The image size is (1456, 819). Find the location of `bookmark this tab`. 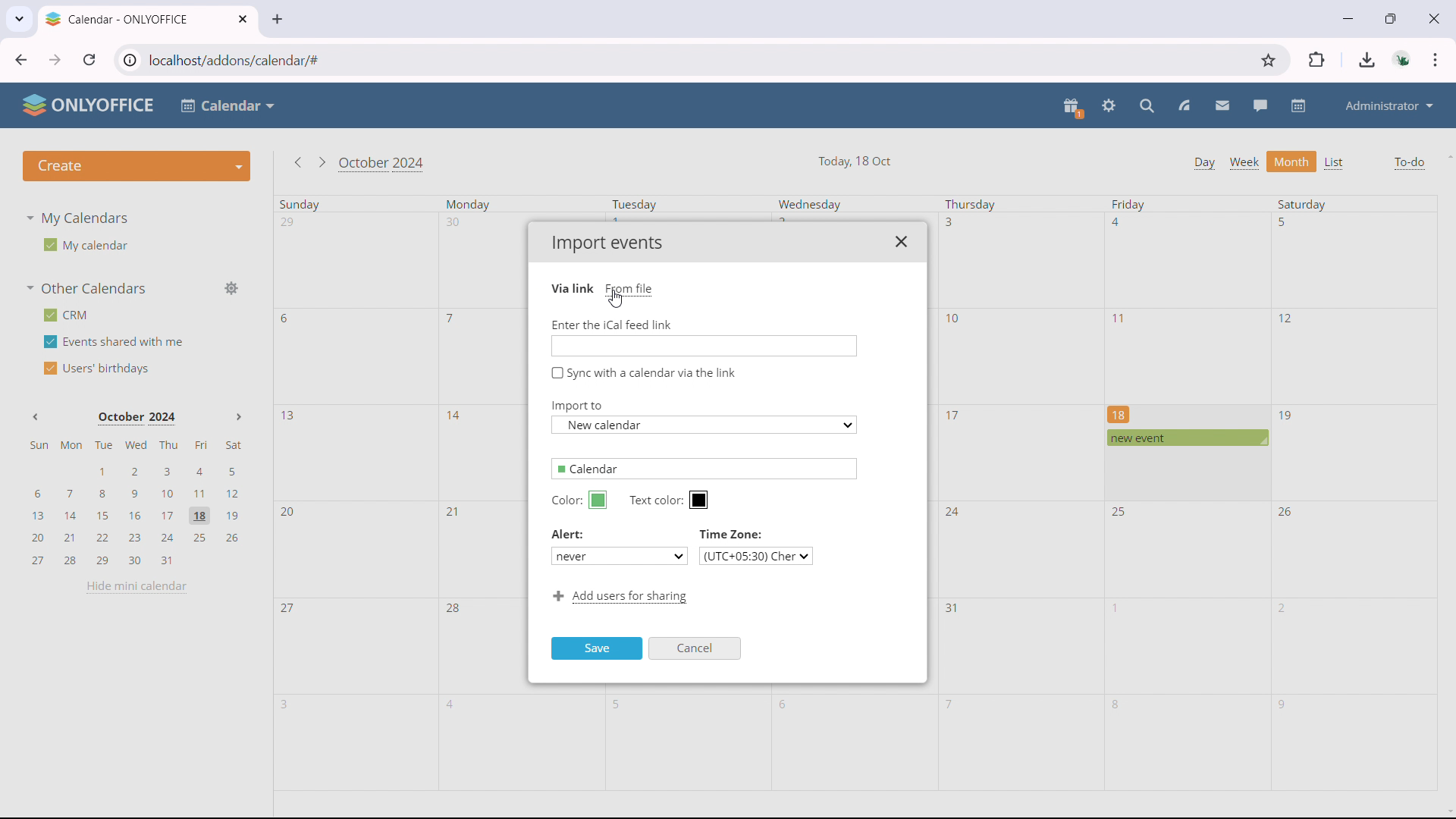

bookmark this tab is located at coordinates (1269, 61).